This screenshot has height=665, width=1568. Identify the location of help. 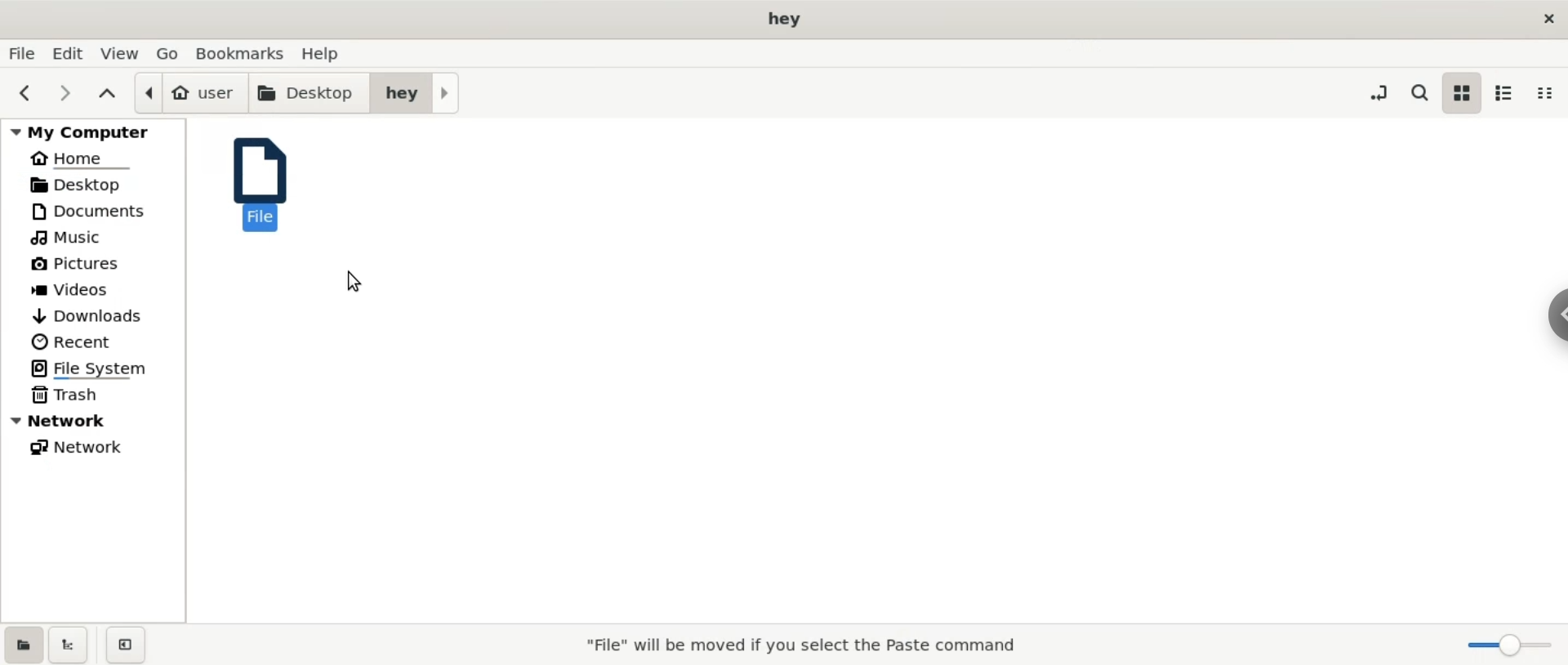
(338, 54).